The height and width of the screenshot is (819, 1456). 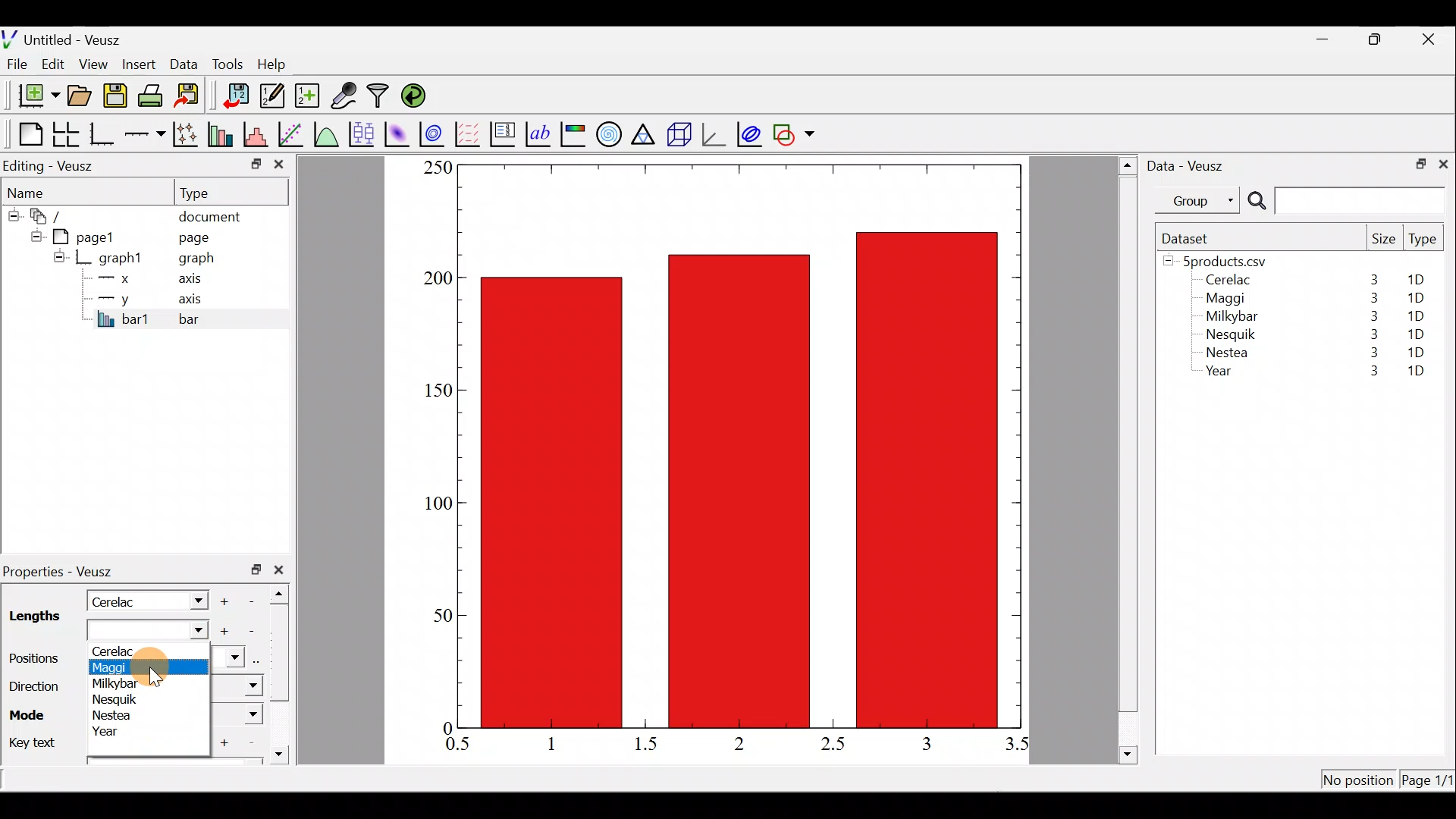 I want to click on Blank page, so click(x=27, y=134).